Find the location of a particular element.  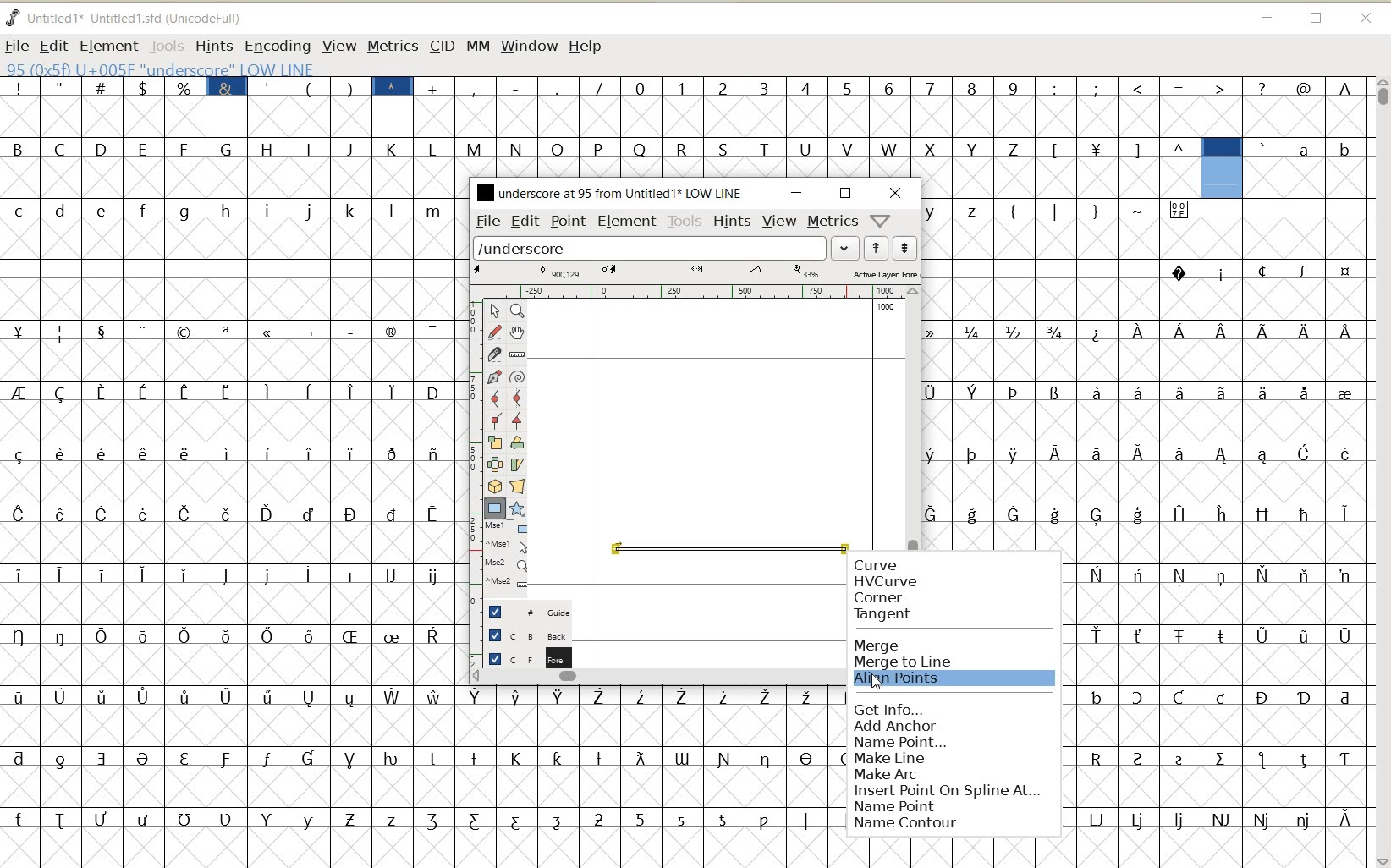

Magnify is located at coordinates (516, 310).